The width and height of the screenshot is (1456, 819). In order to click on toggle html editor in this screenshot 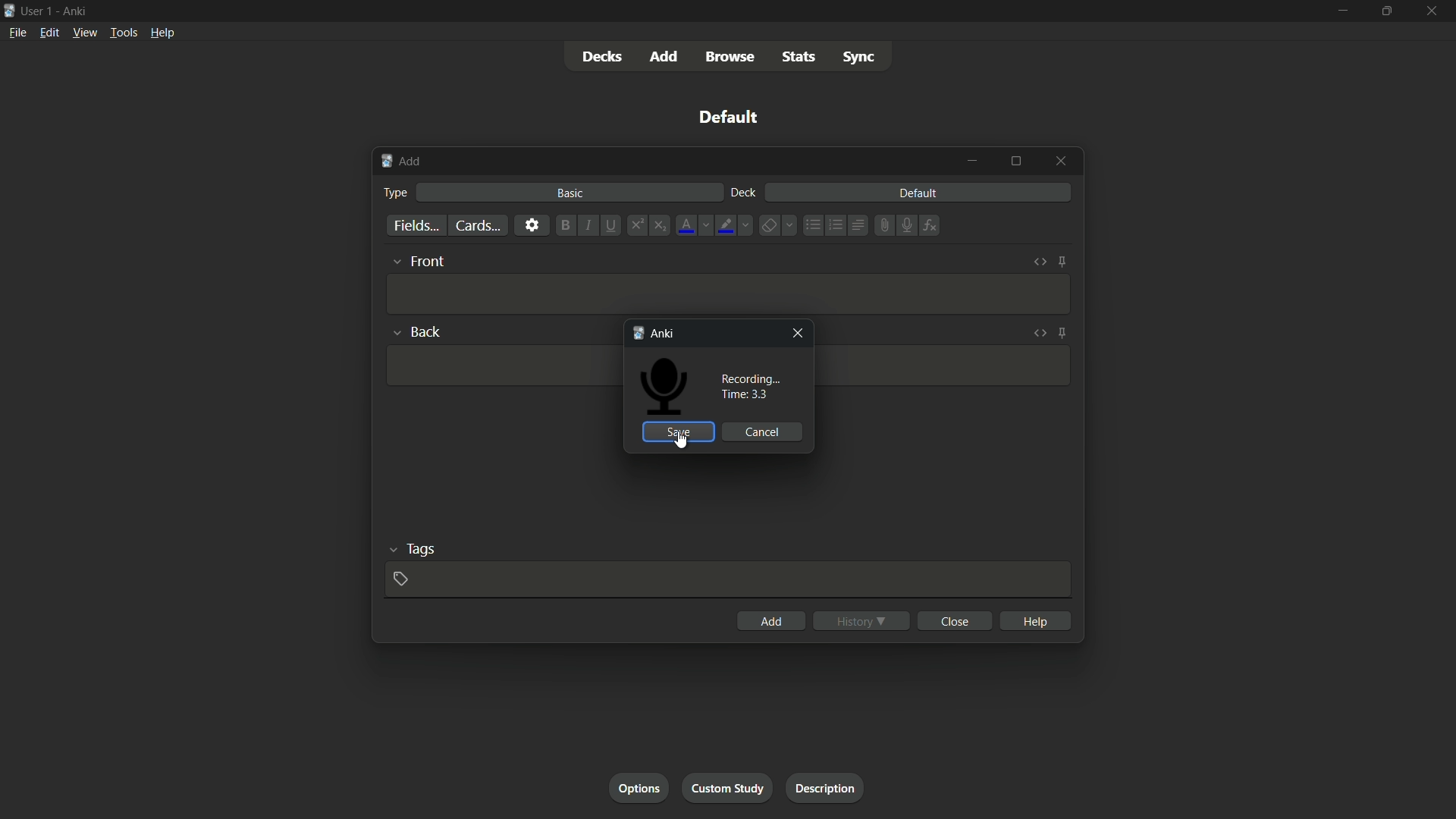, I will do `click(1040, 334)`.